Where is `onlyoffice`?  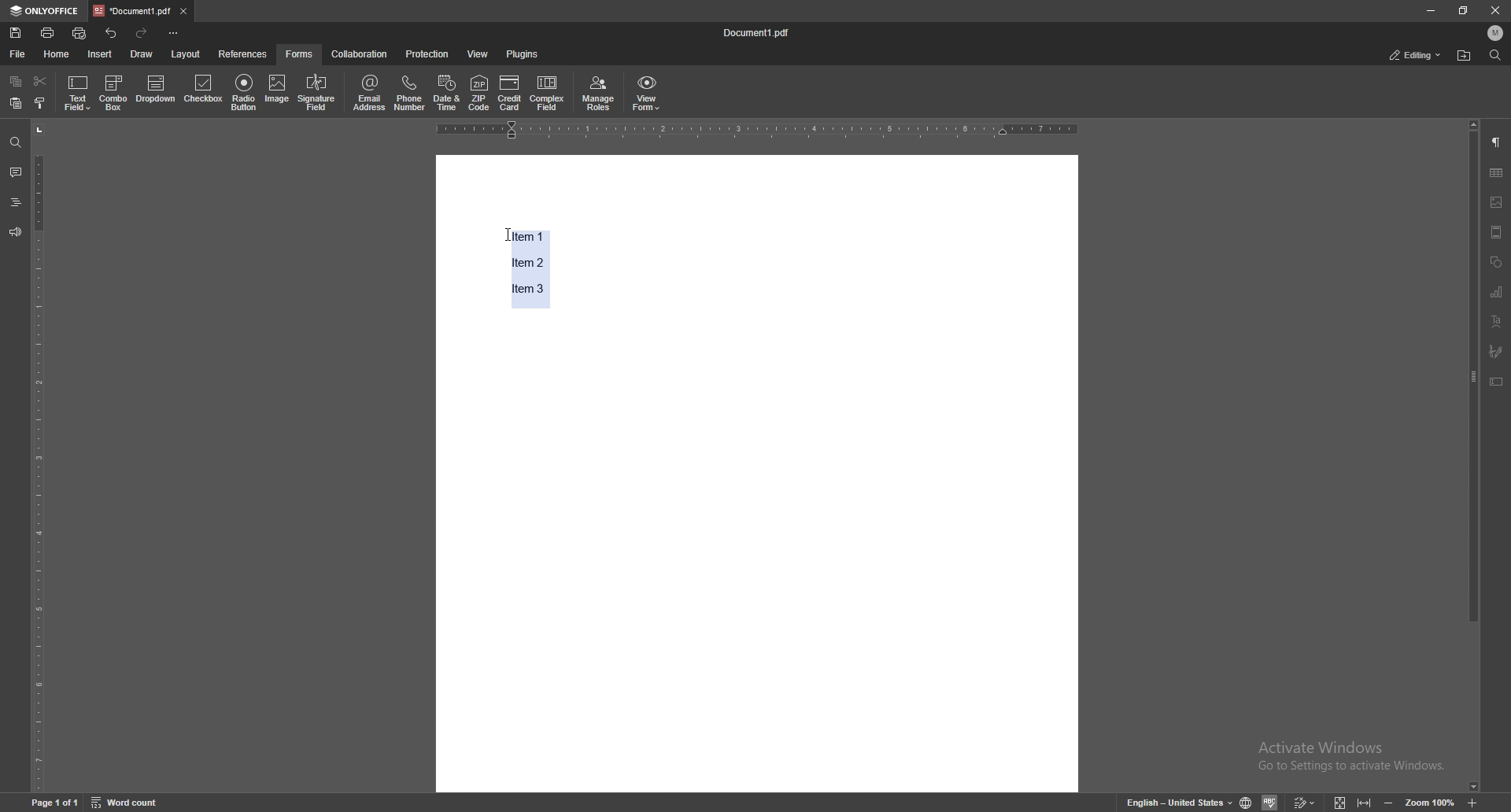
onlyoffice is located at coordinates (46, 10).